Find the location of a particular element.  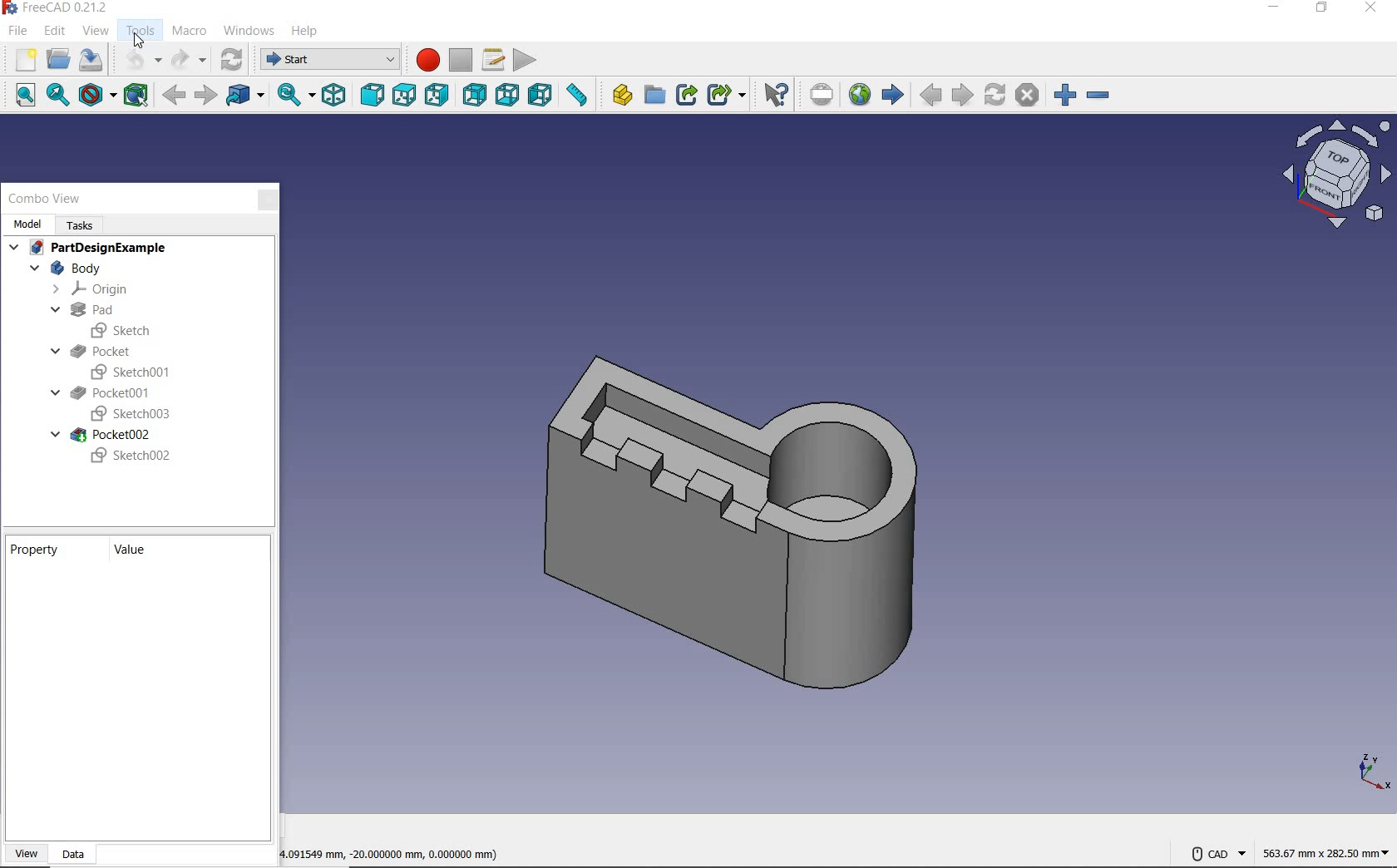

Bounding box is located at coordinates (141, 96).